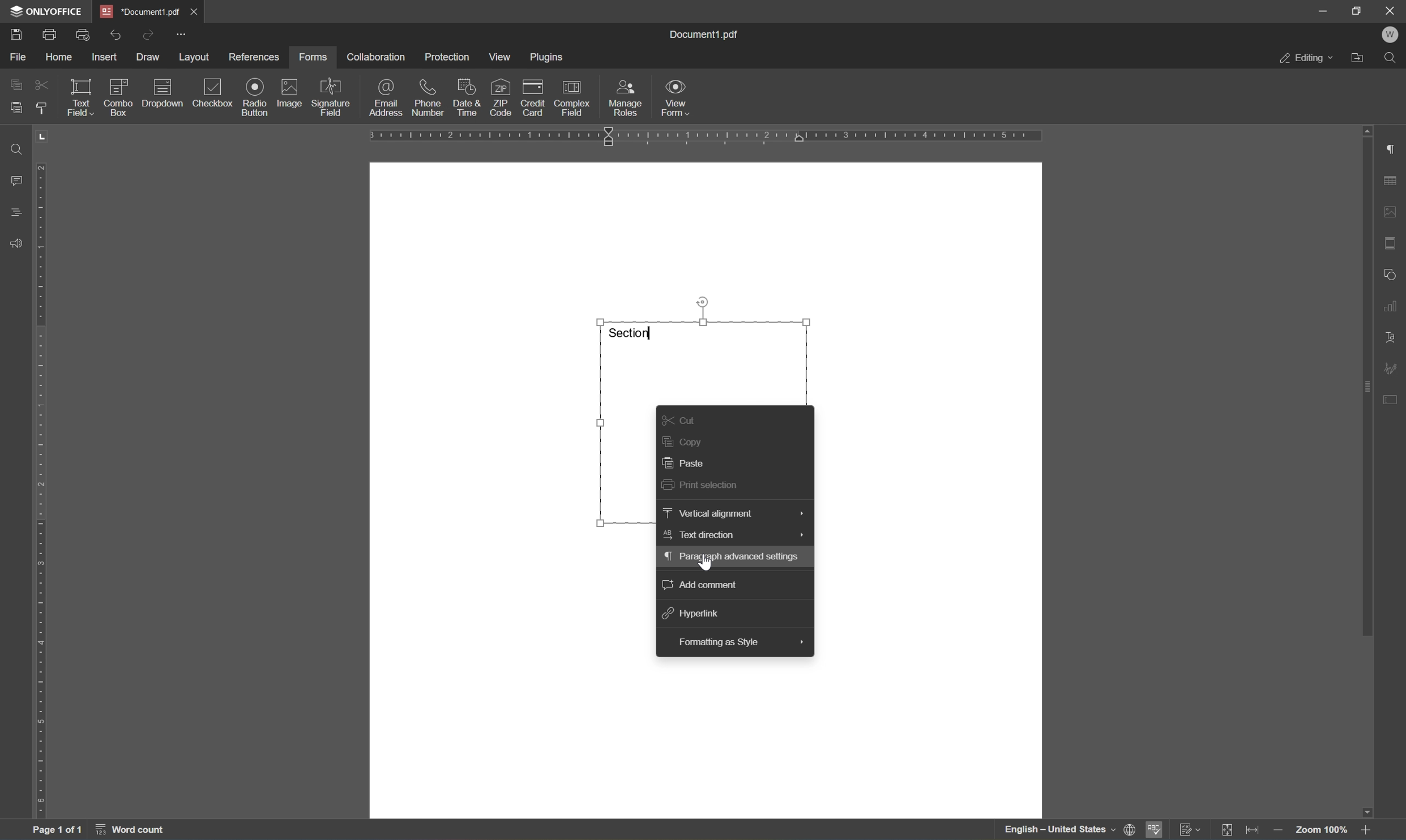  I want to click on redo, so click(147, 34).